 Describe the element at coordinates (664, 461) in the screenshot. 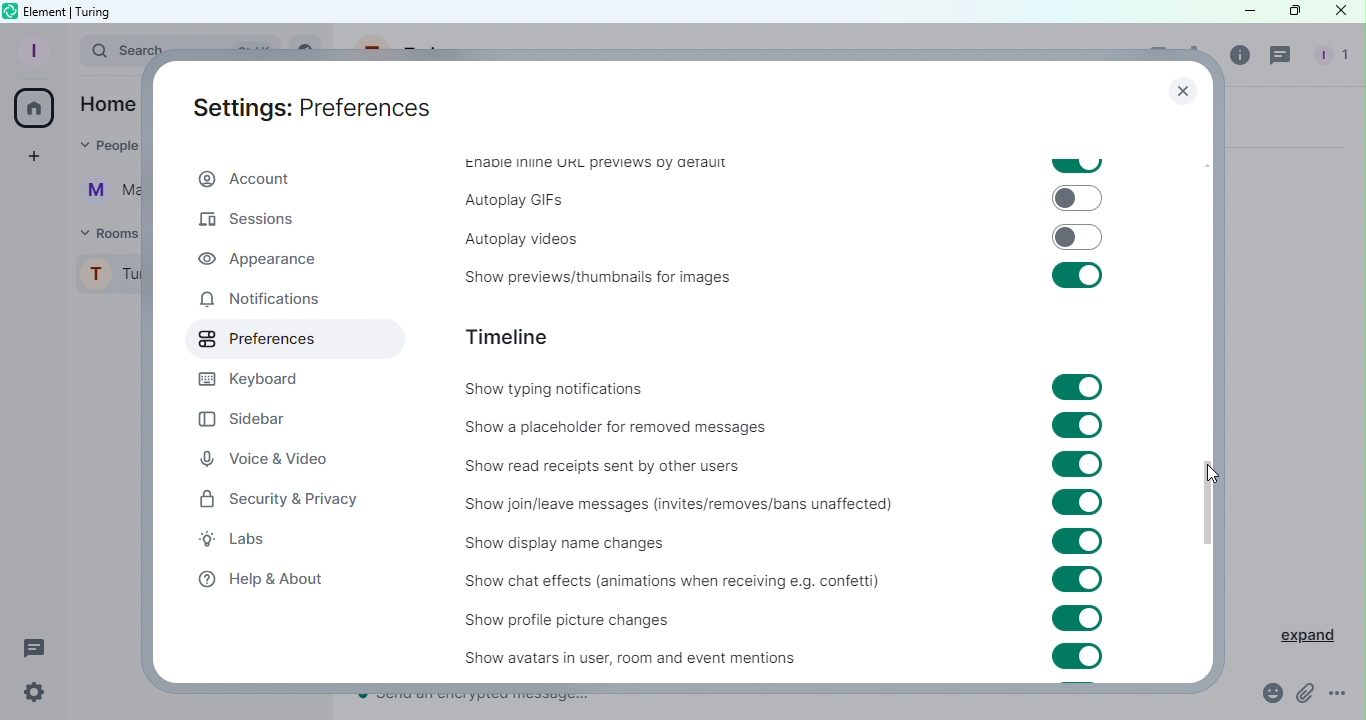

I see `Show read receipts sent by other user` at that location.